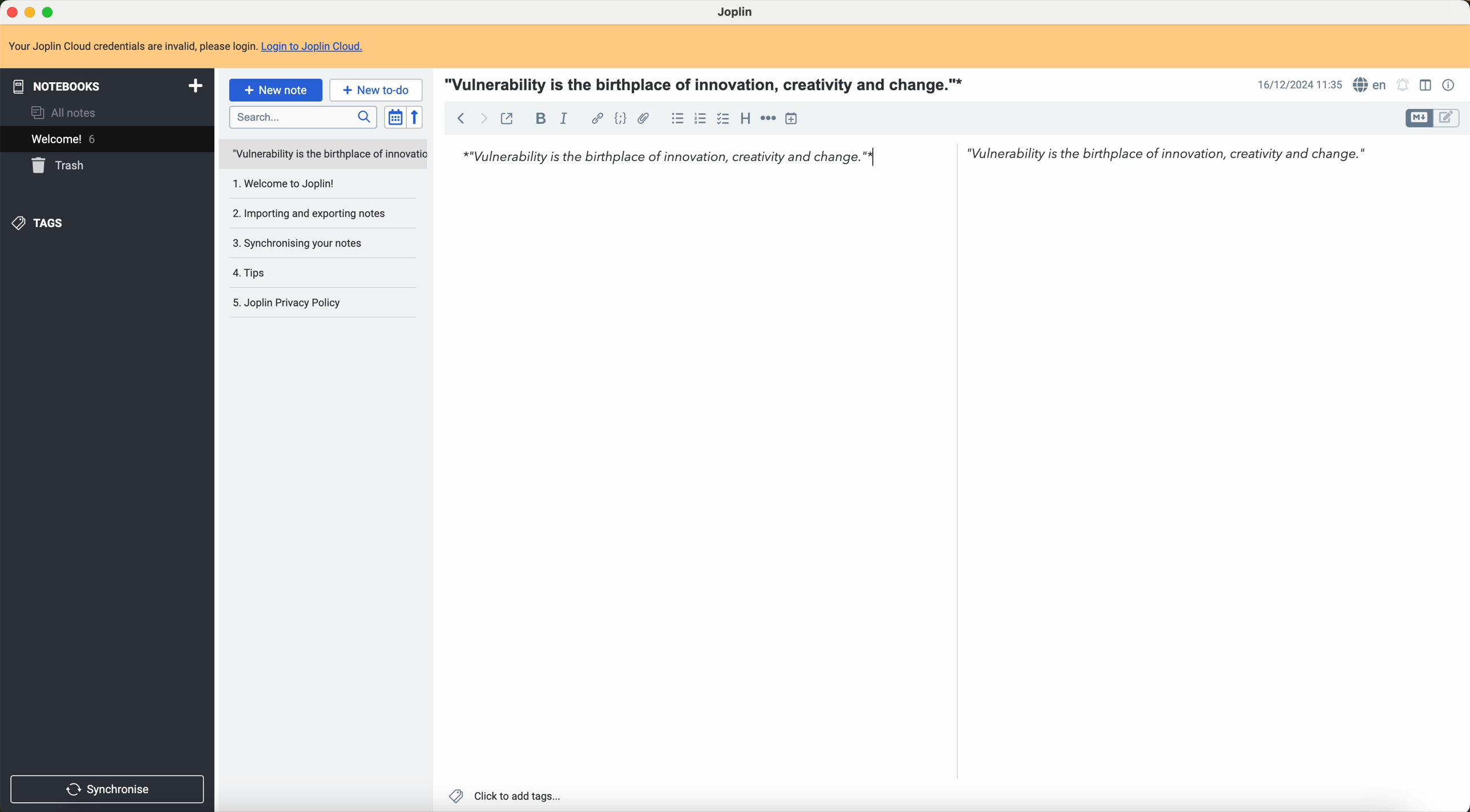  I want to click on all notes, so click(64, 114).